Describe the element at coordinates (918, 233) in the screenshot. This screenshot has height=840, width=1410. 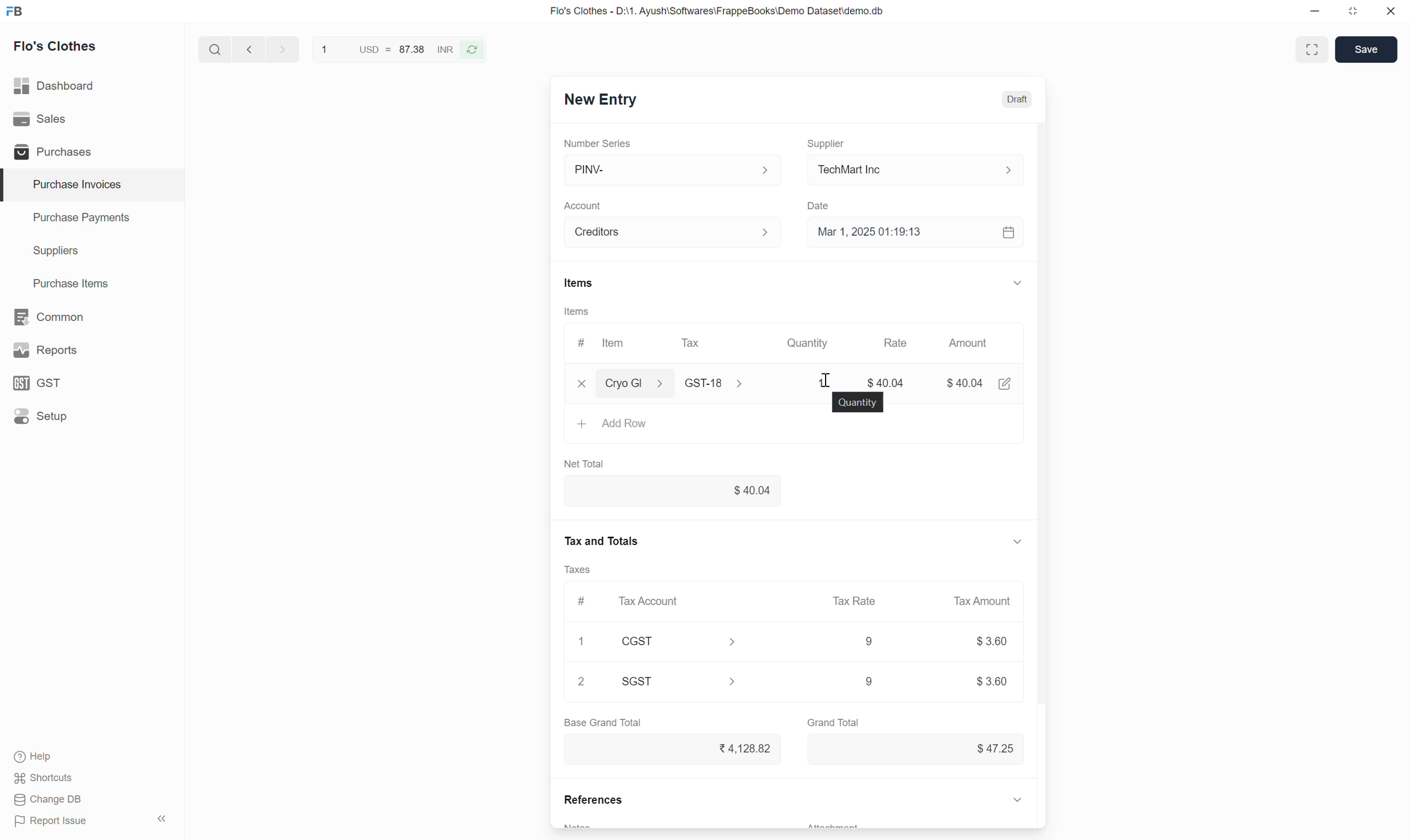
I see `Mar 1, 2025 01:19:13 ` at that location.